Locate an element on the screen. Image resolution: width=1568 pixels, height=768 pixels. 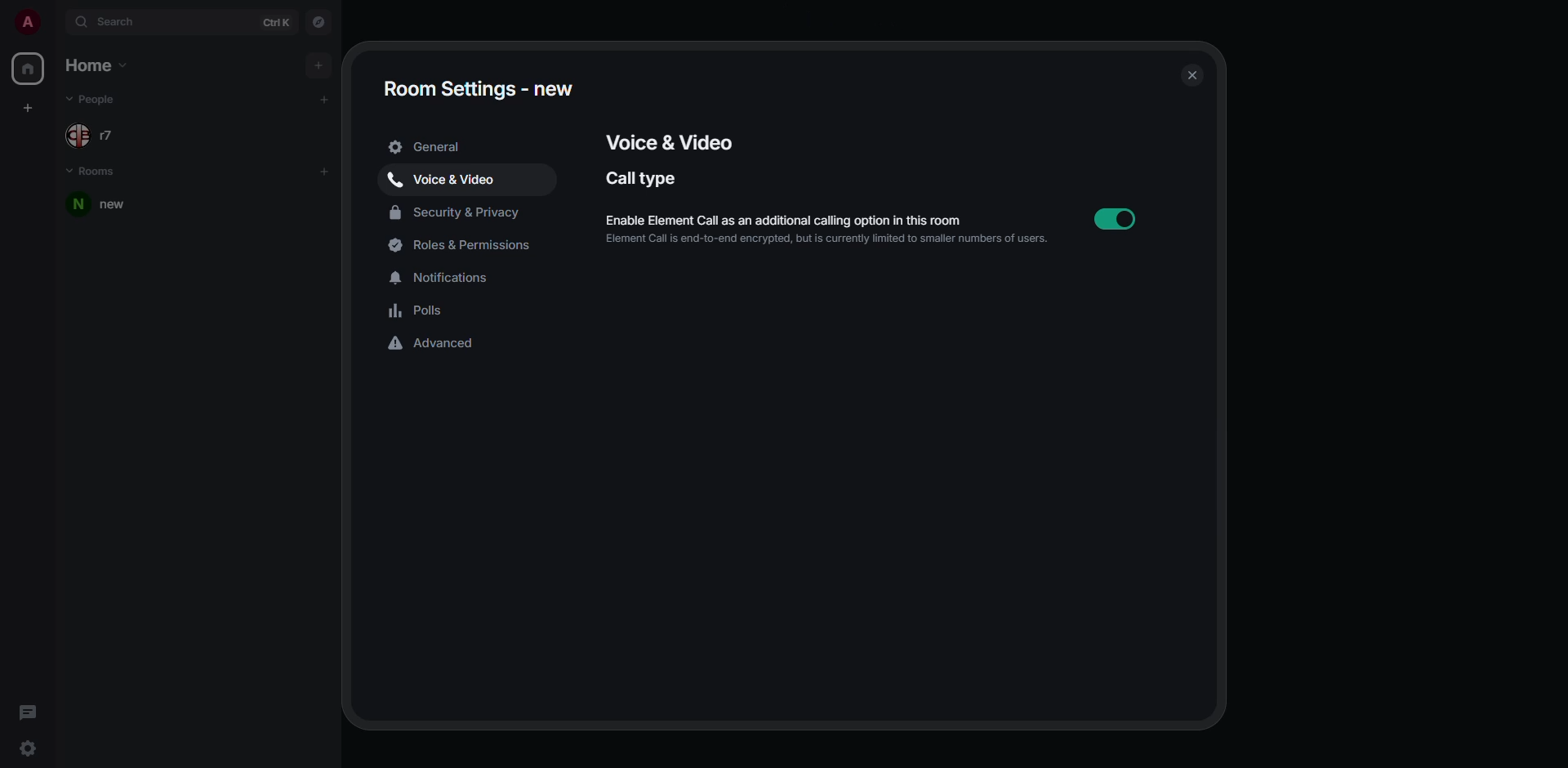
room options is located at coordinates (305, 204).